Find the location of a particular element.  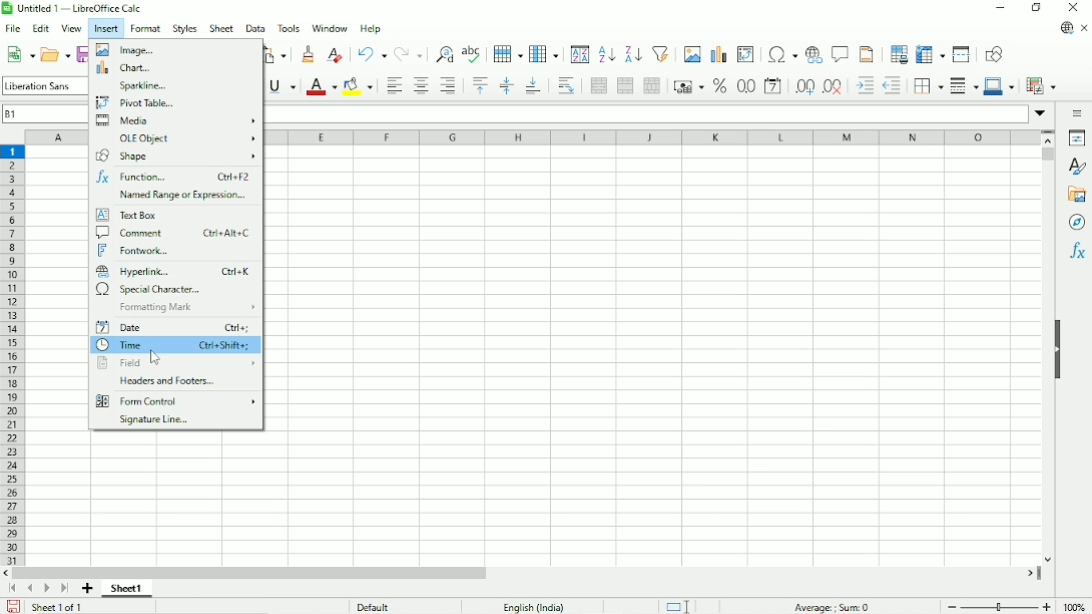

Clear direct formatting is located at coordinates (336, 54).